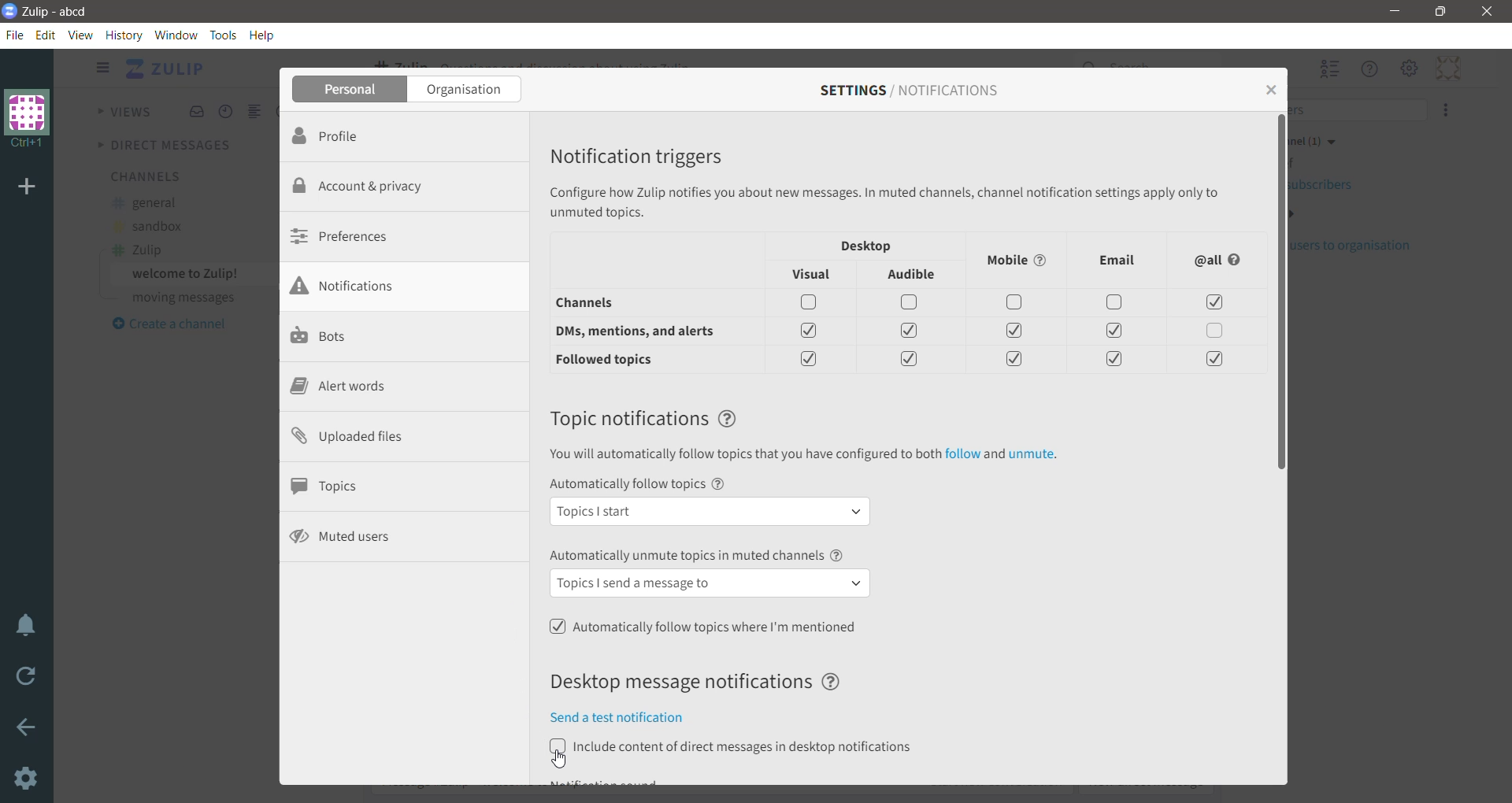  Describe the element at coordinates (1217, 332) in the screenshot. I see `check box` at that location.